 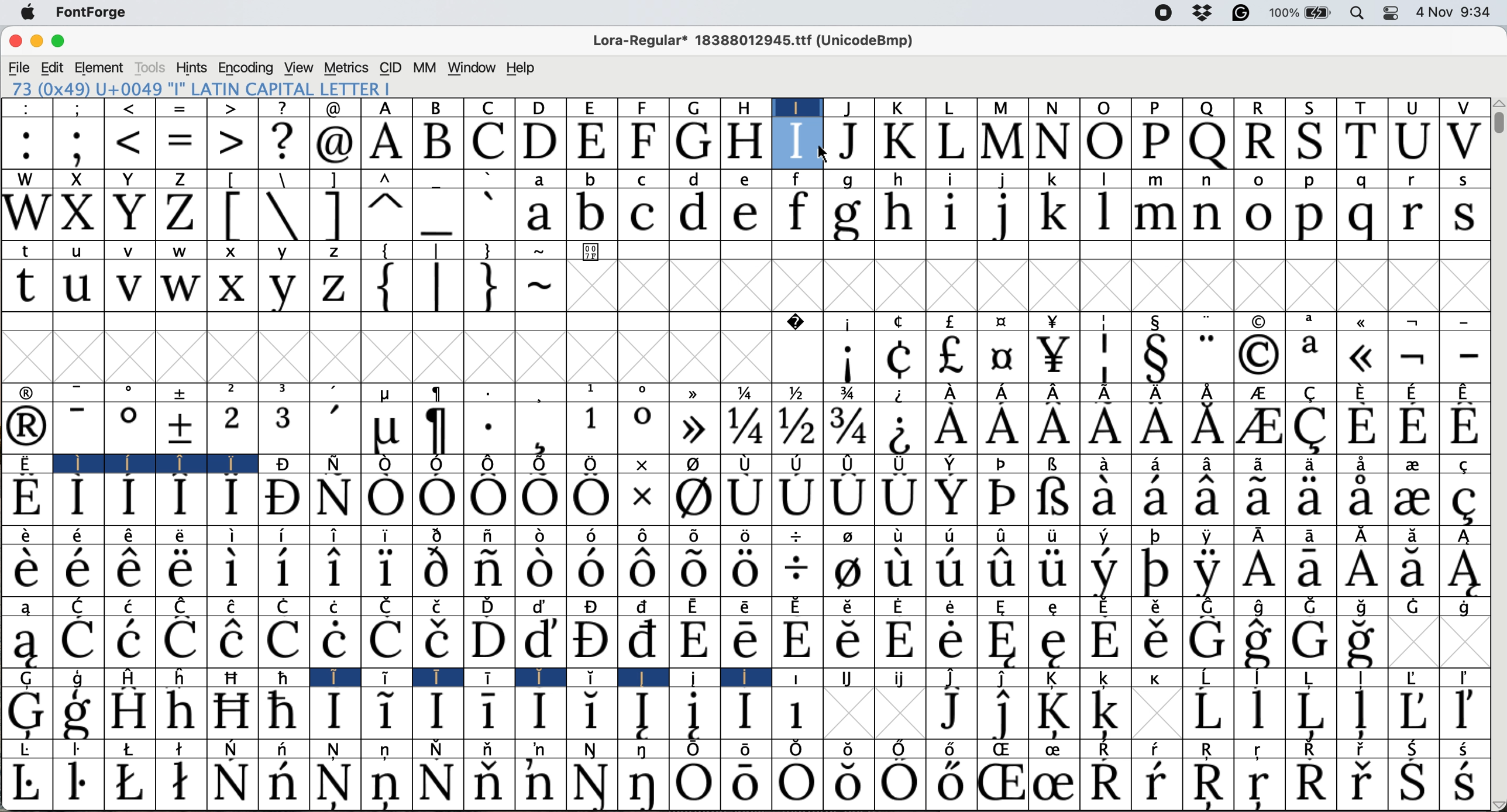 What do you see at coordinates (1209, 535) in the screenshot?
I see `Symbol` at bounding box center [1209, 535].